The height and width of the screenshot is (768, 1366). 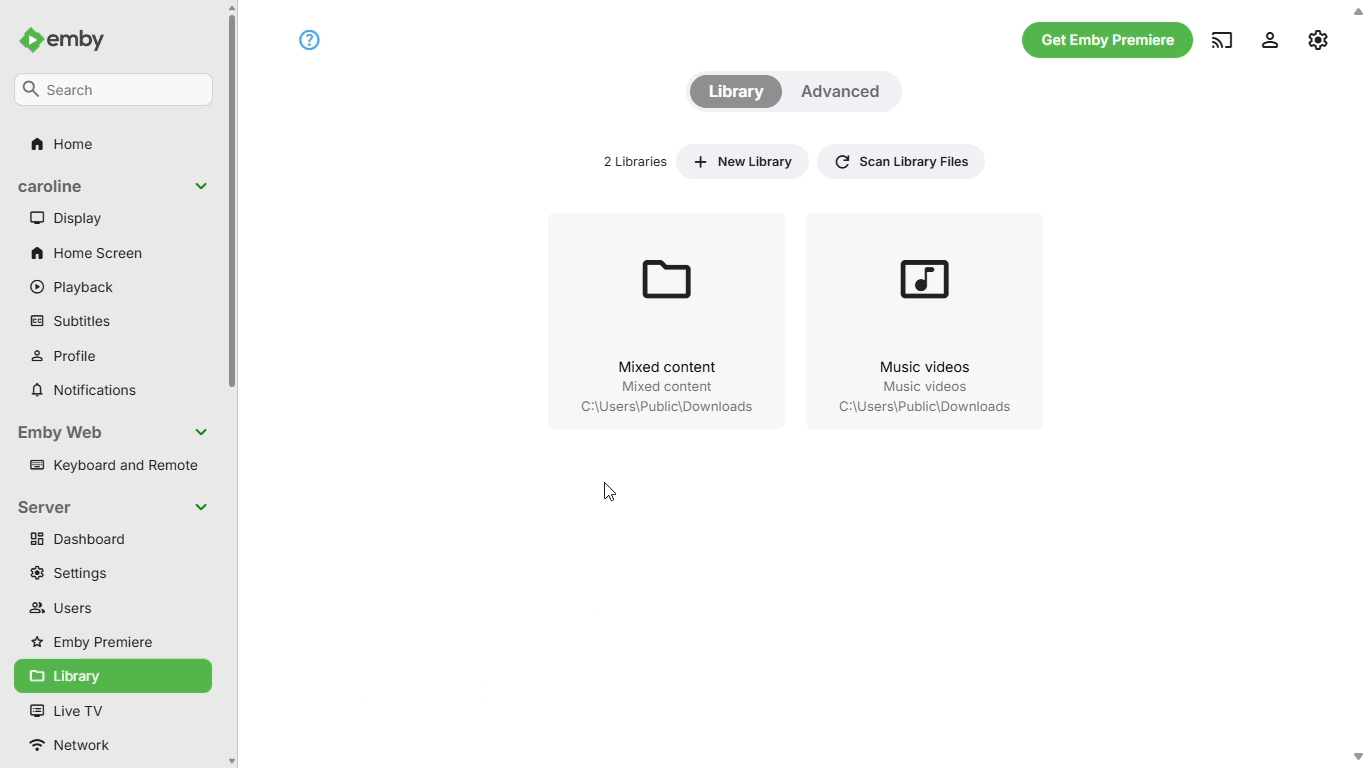 What do you see at coordinates (608, 492) in the screenshot?
I see `cursor` at bounding box center [608, 492].